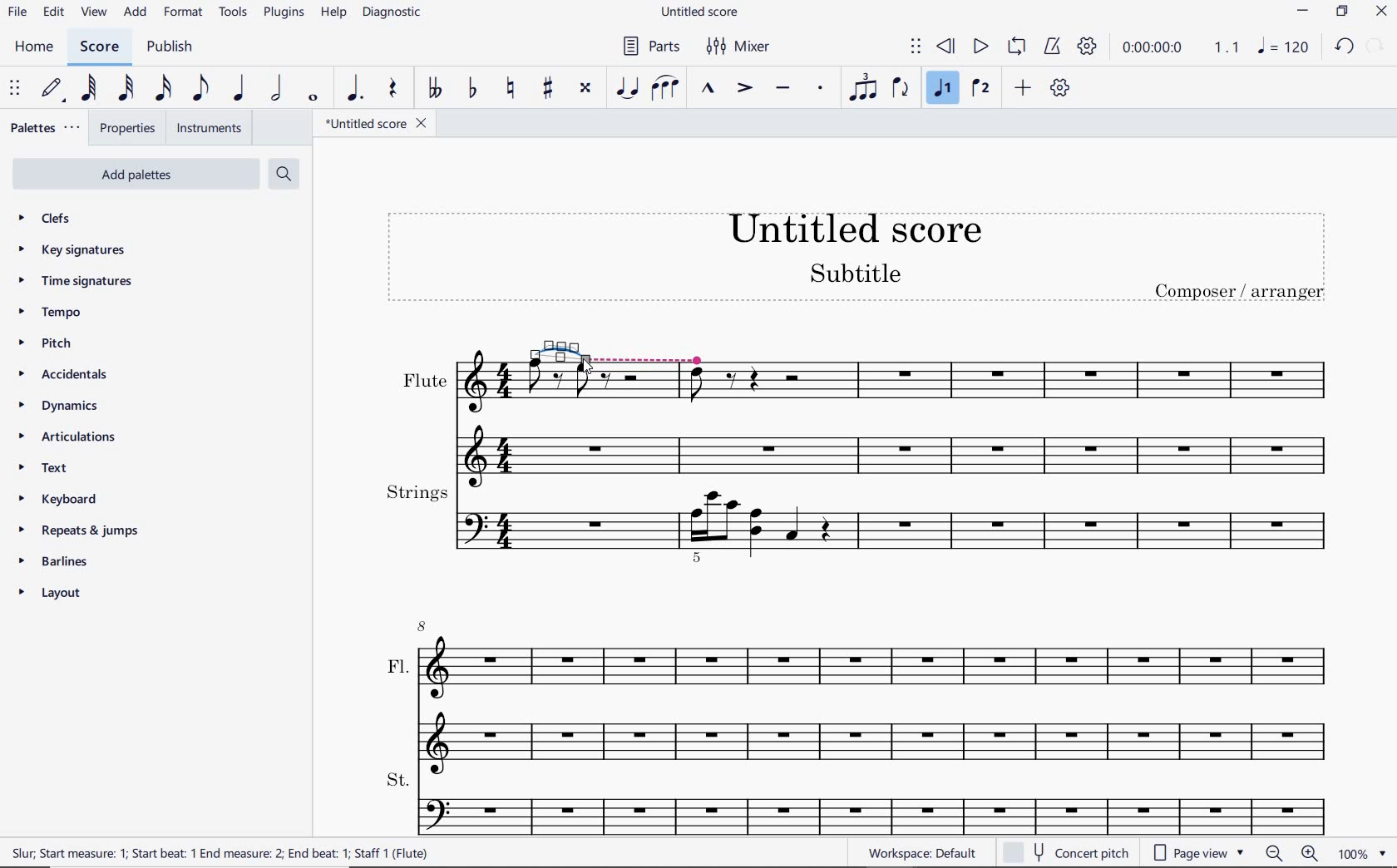 Image resolution: width=1397 pixels, height=868 pixels. What do you see at coordinates (1060, 89) in the screenshot?
I see `CUSTOMIZE TOOLBAR` at bounding box center [1060, 89].